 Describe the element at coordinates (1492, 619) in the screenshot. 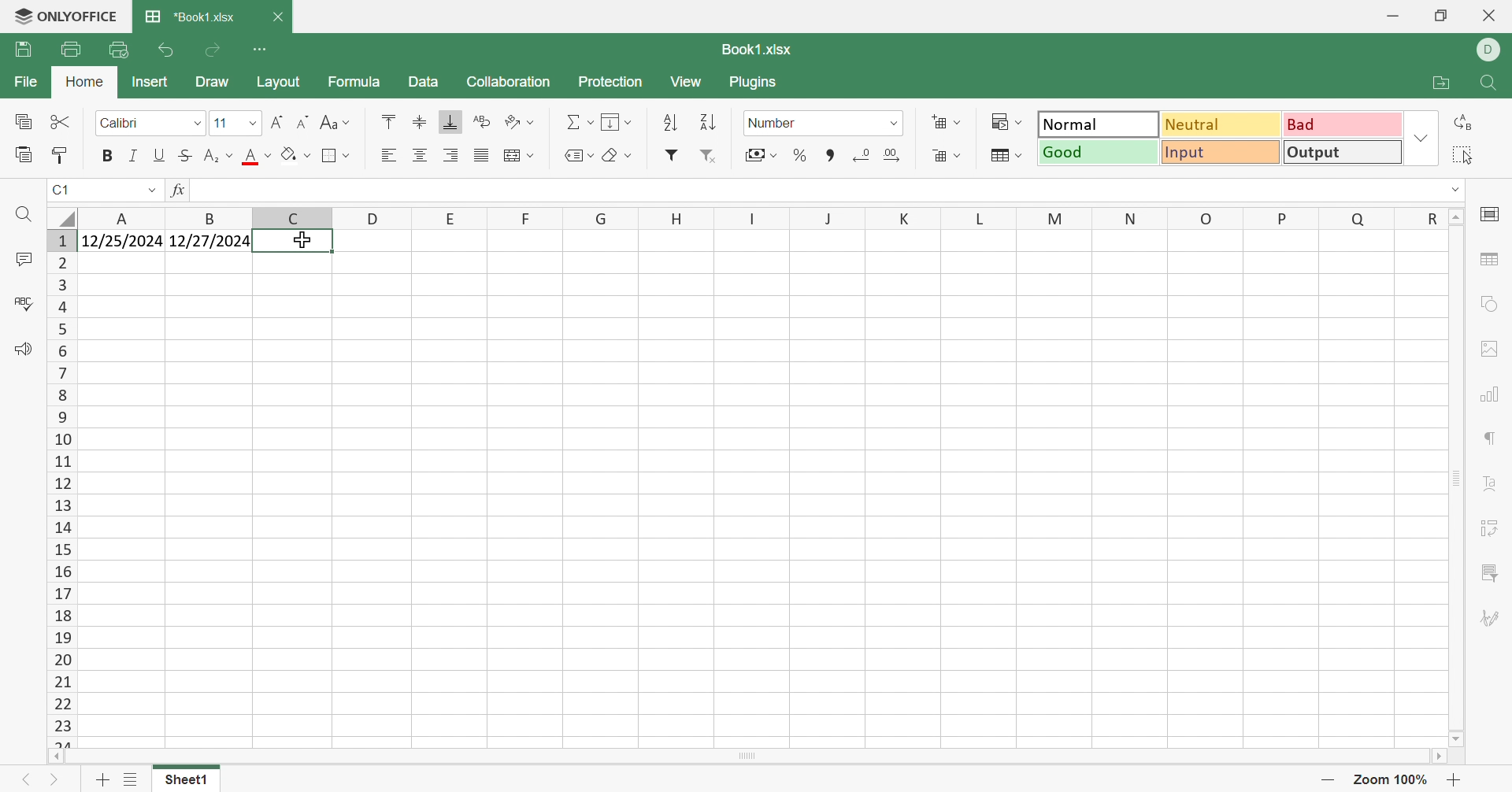

I see `Signature settings` at that location.